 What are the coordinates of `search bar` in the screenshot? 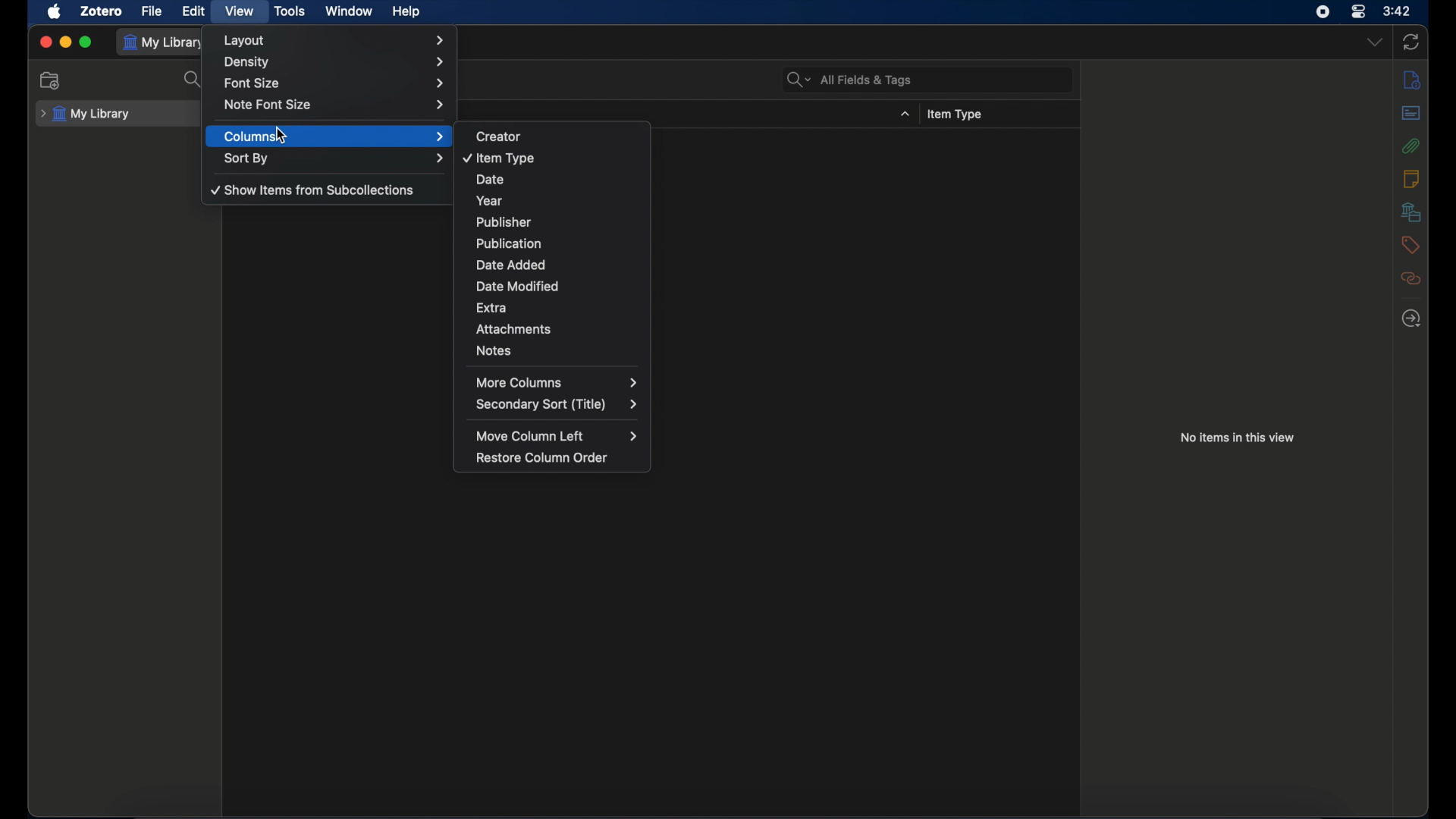 It's located at (850, 80).